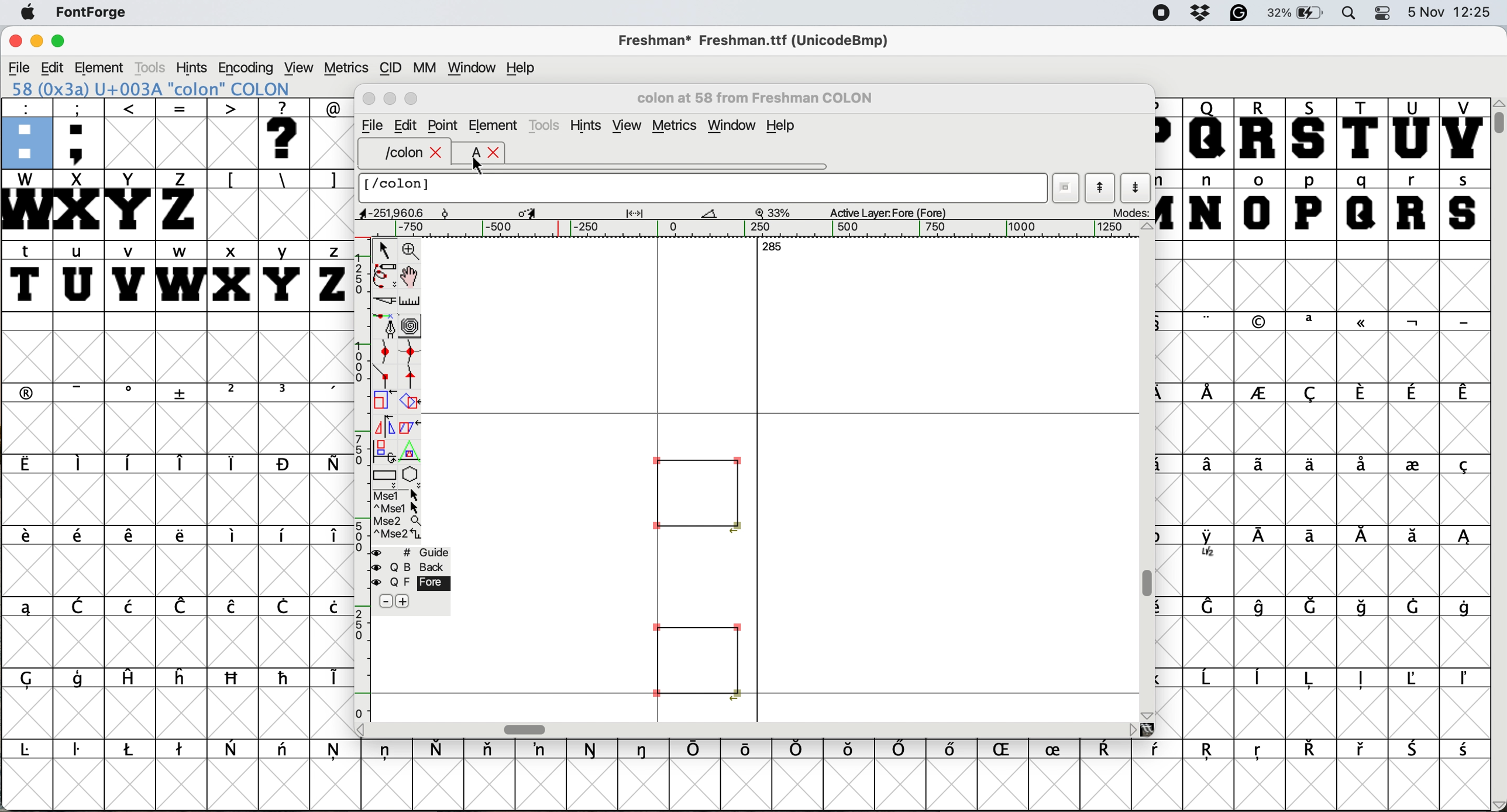 The height and width of the screenshot is (812, 1507). What do you see at coordinates (543, 749) in the screenshot?
I see `symbol` at bounding box center [543, 749].